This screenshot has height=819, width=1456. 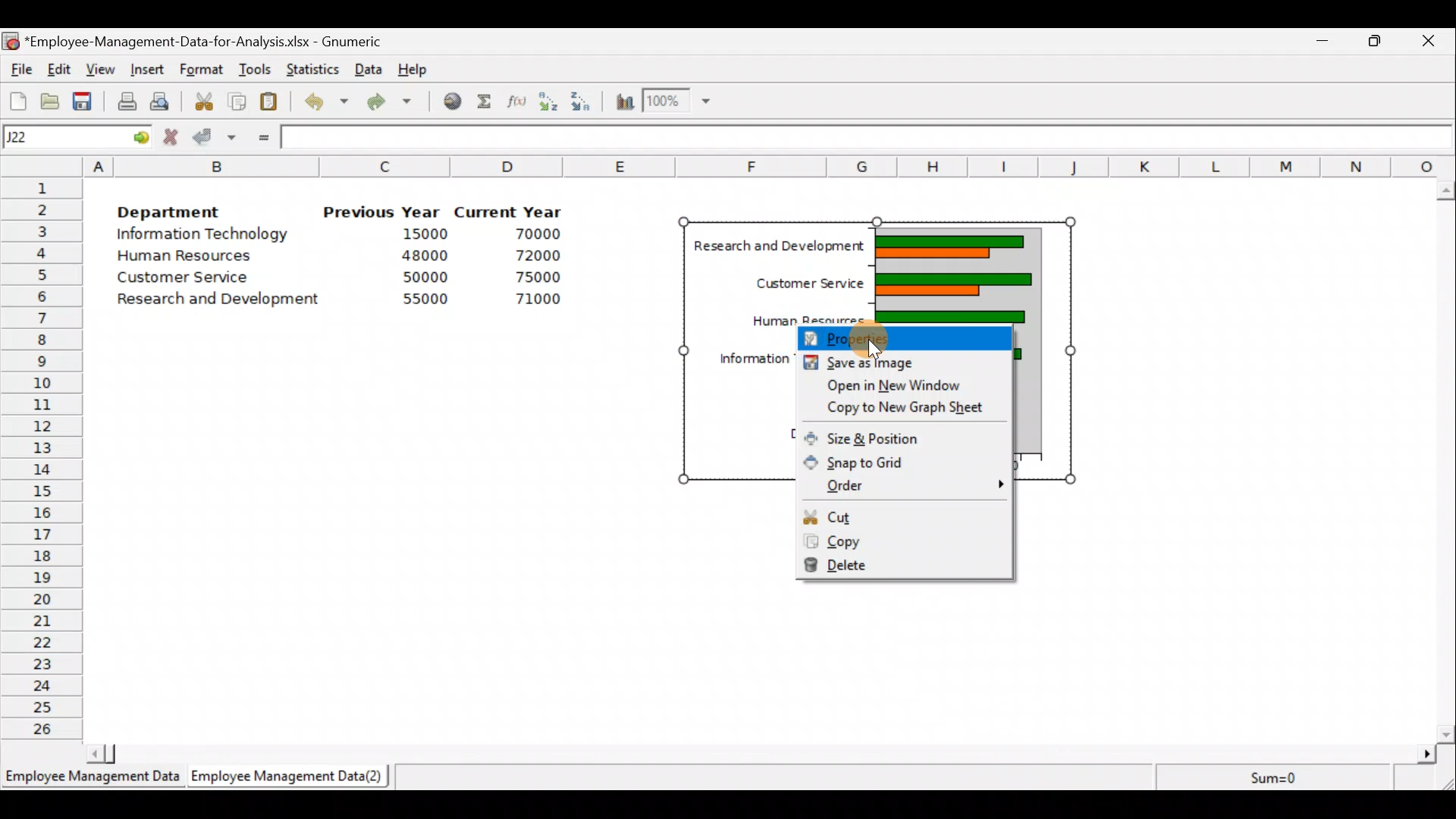 What do you see at coordinates (877, 435) in the screenshot?
I see `Size & position` at bounding box center [877, 435].